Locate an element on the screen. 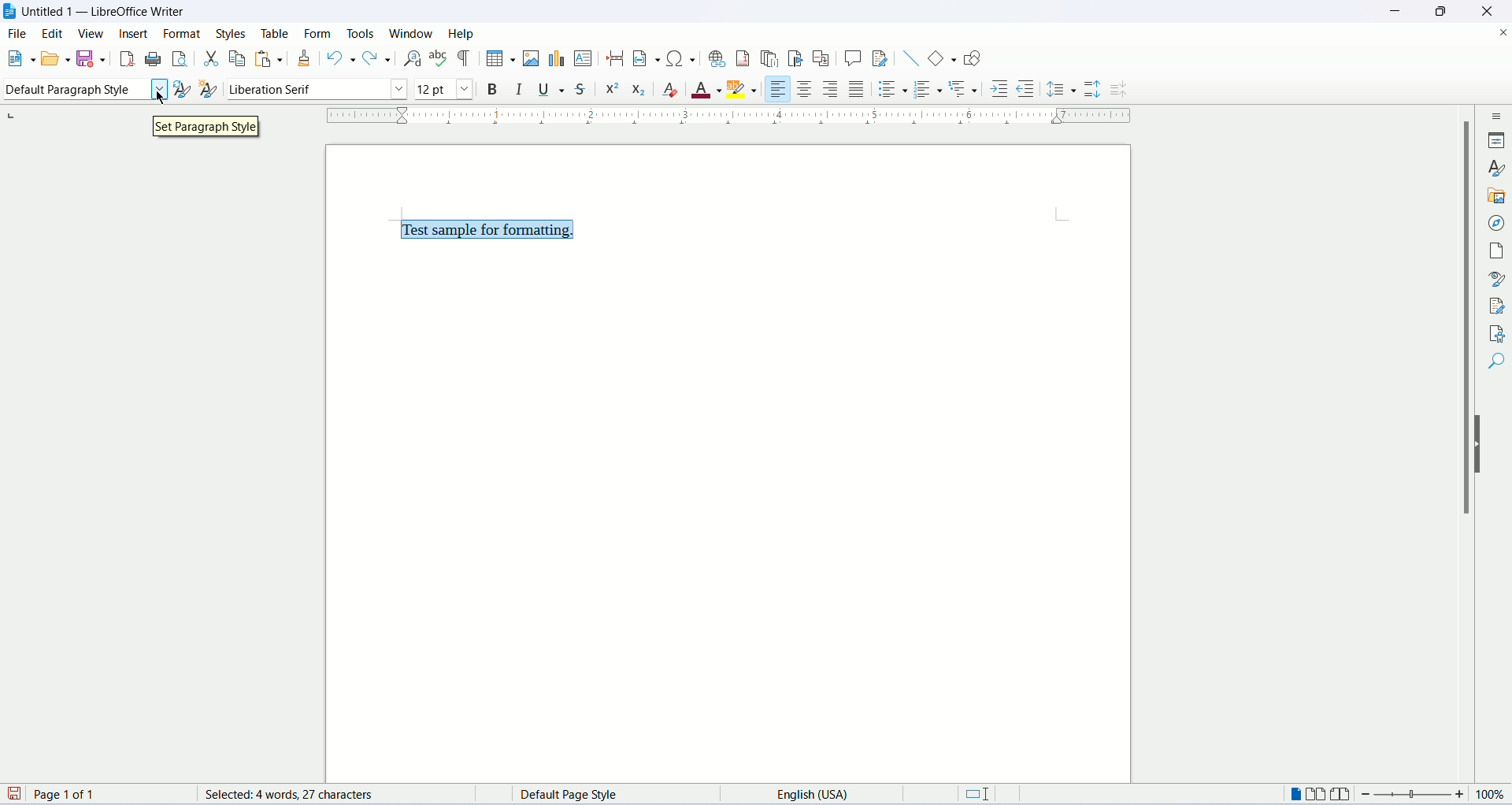 The width and height of the screenshot is (1512, 805). font name is located at coordinates (316, 88).